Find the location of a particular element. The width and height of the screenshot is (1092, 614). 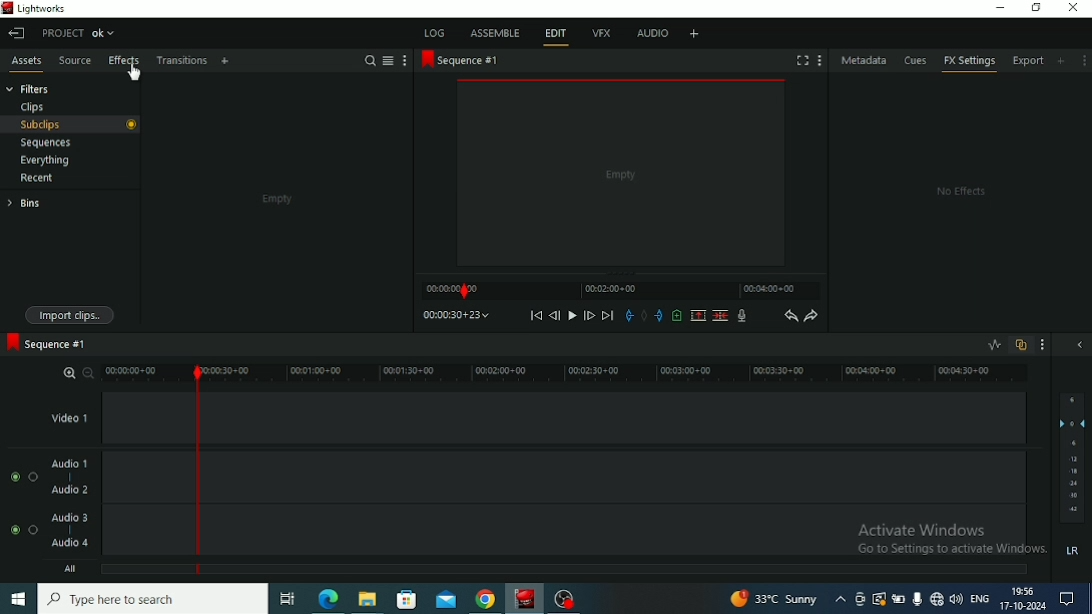

language is located at coordinates (980, 598).